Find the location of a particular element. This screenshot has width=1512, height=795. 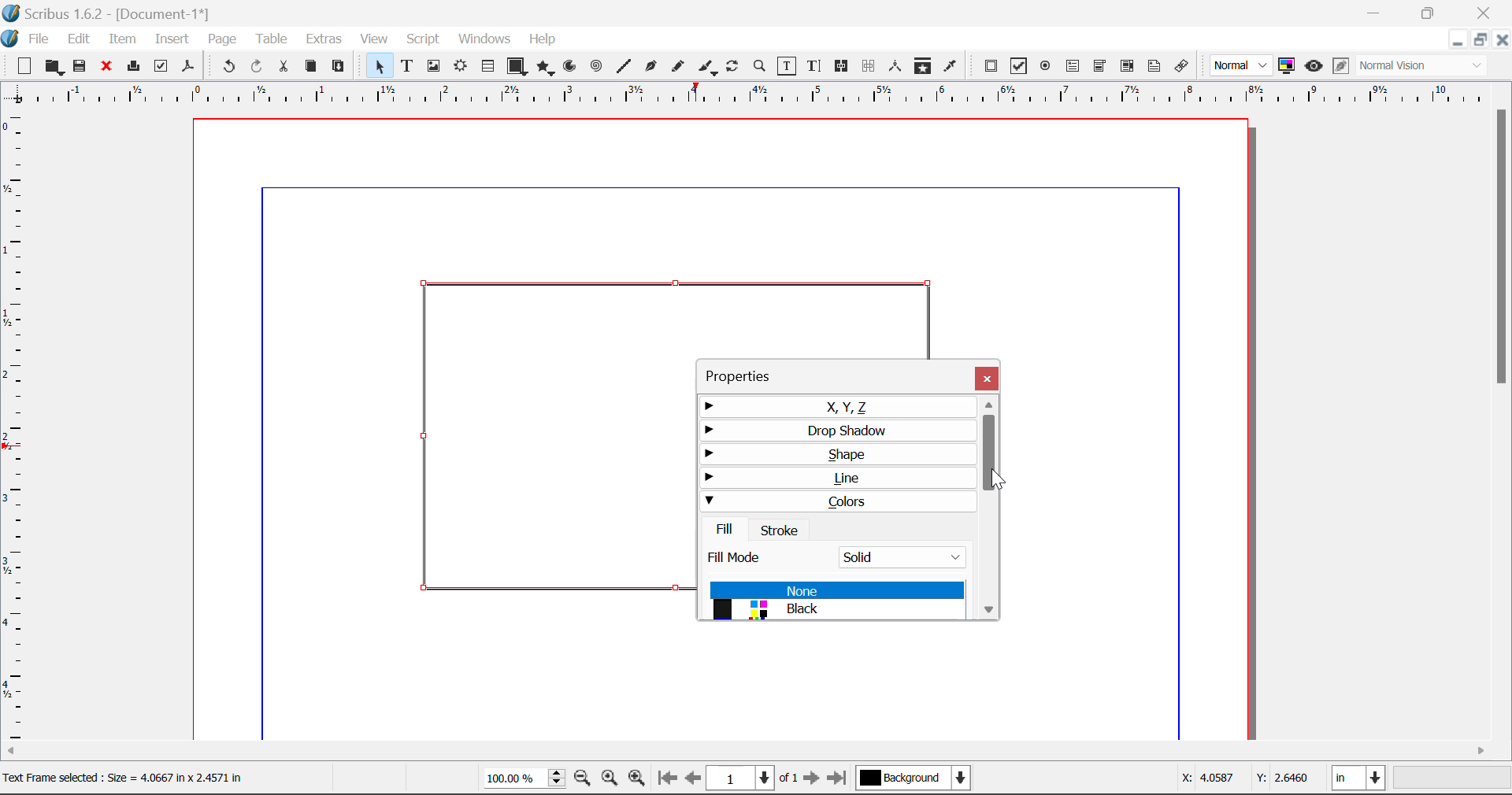

Drop Shadow is located at coordinates (838, 430).